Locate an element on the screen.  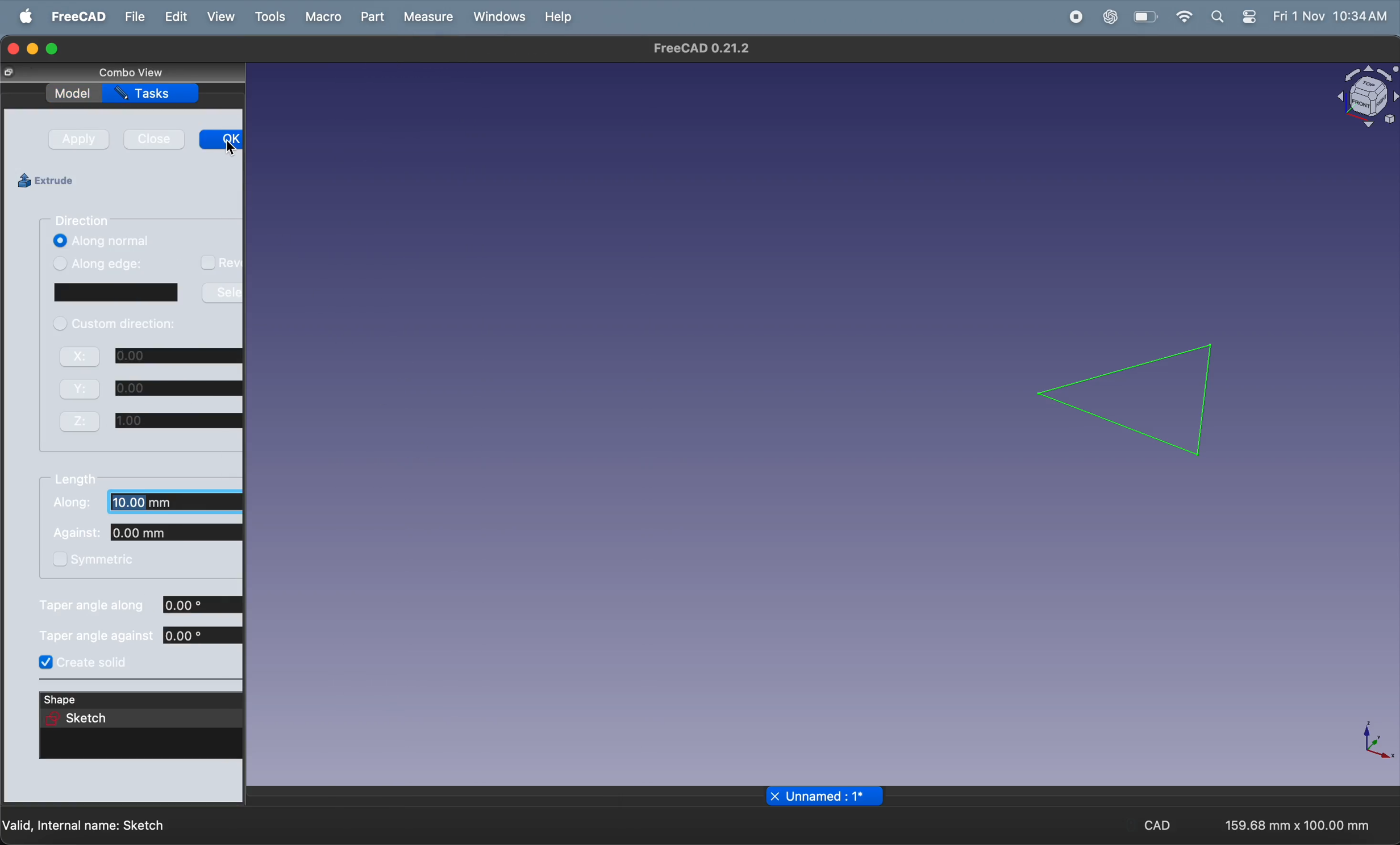
cursor is located at coordinates (233, 151).